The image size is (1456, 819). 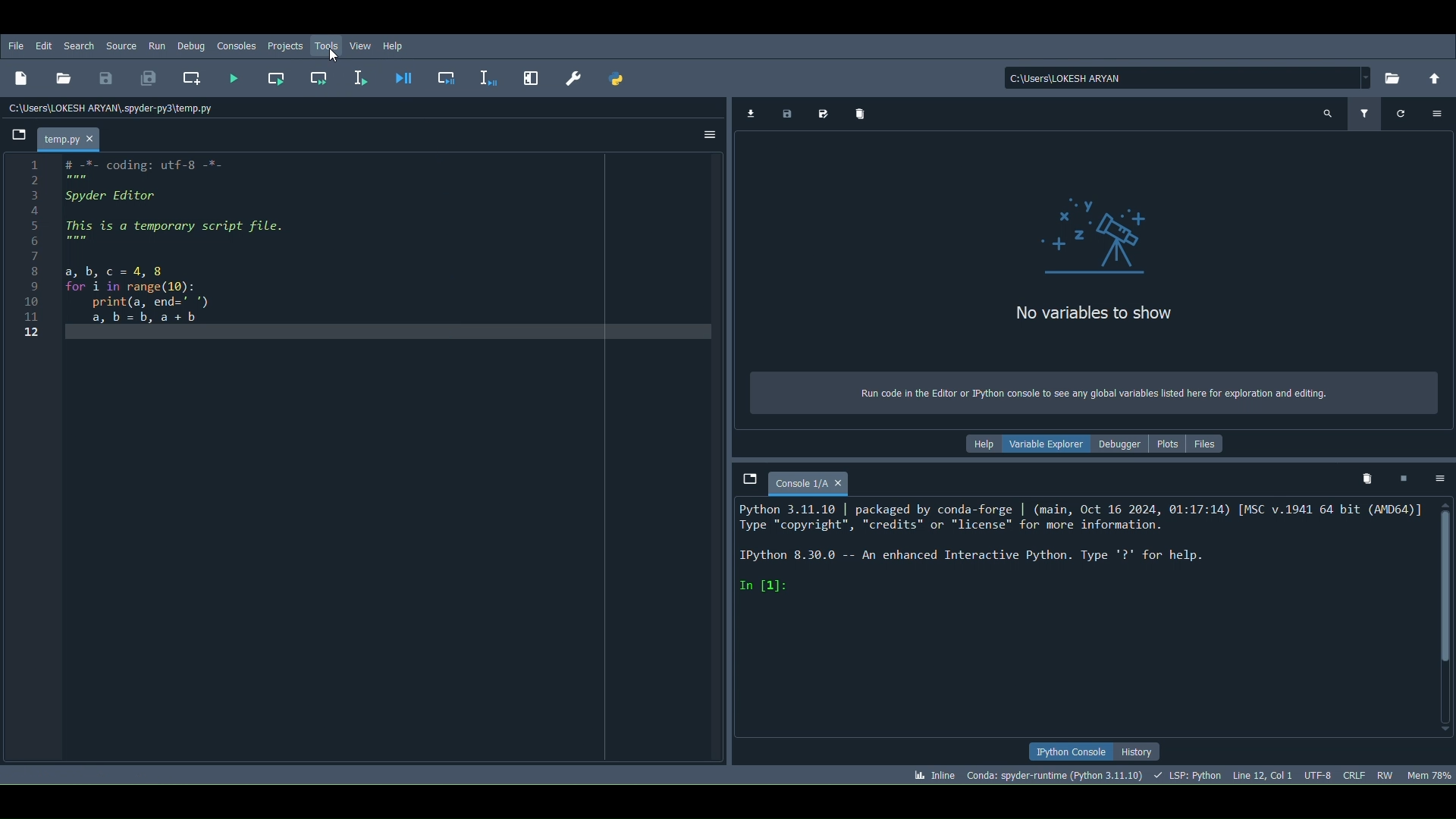 What do you see at coordinates (1087, 393) in the screenshot?
I see `Text ` at bounding box center [1087, 393].